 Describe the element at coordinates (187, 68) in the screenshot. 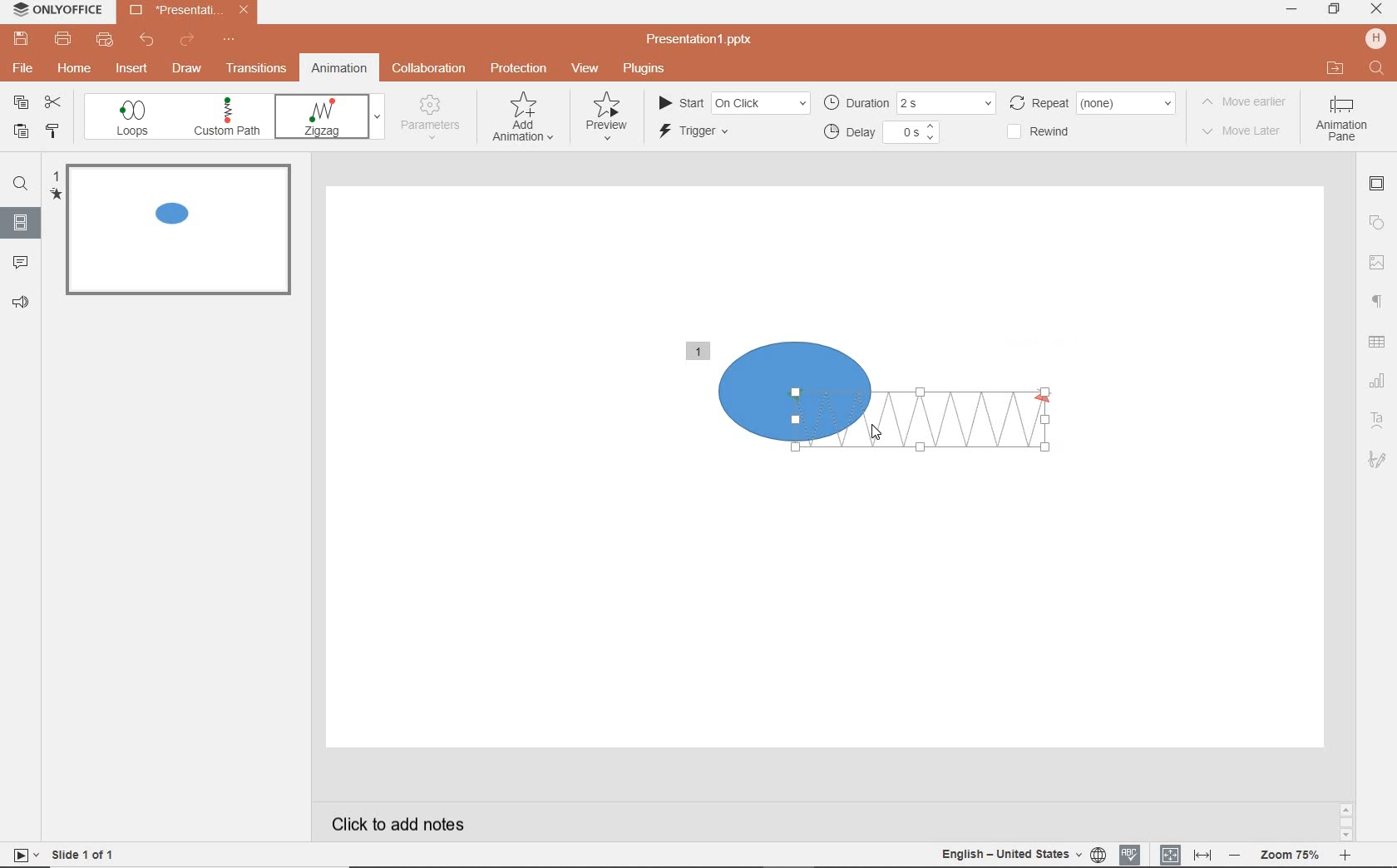

I see `draw` at that location.